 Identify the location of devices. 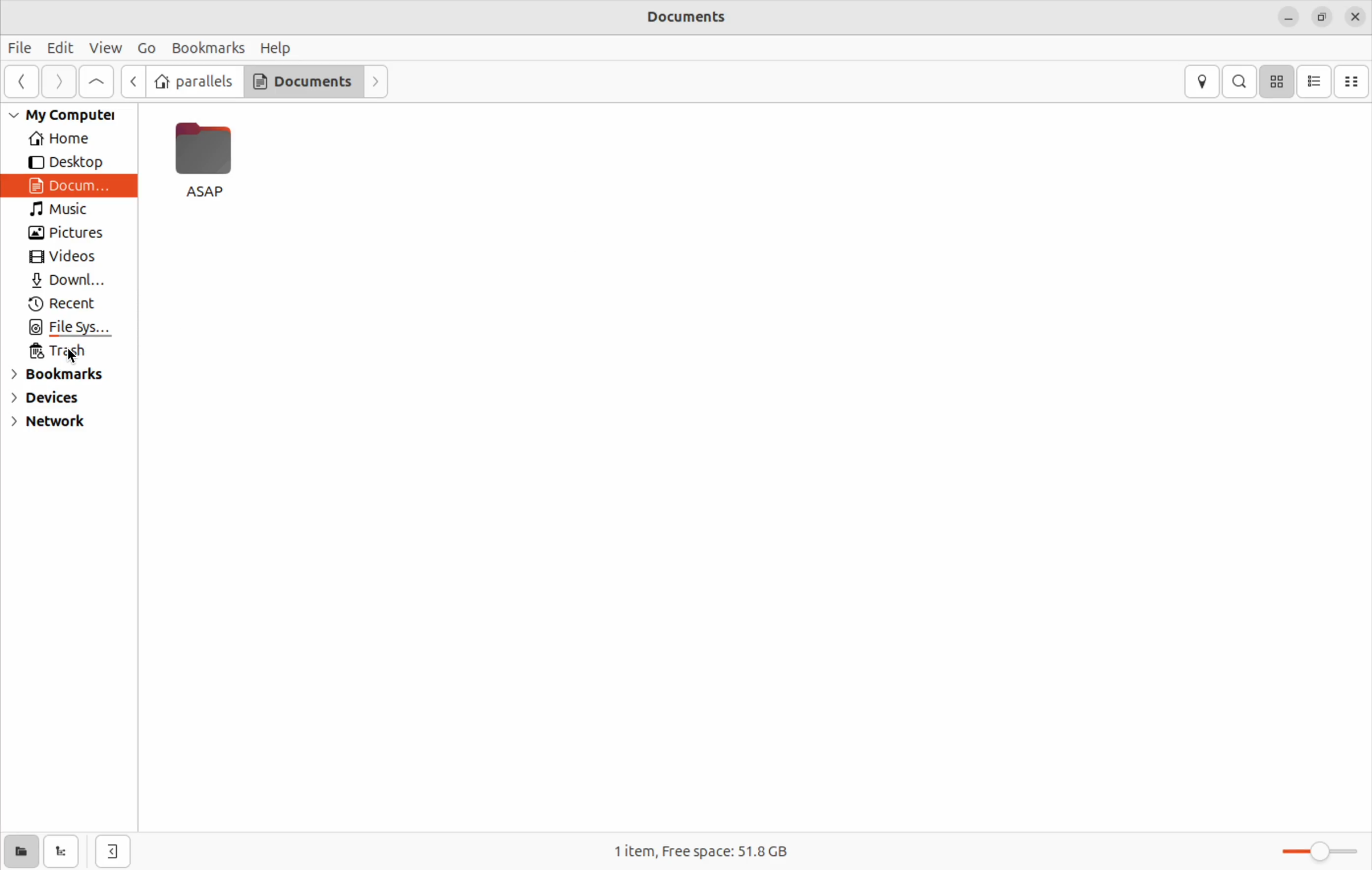
(60, 399).